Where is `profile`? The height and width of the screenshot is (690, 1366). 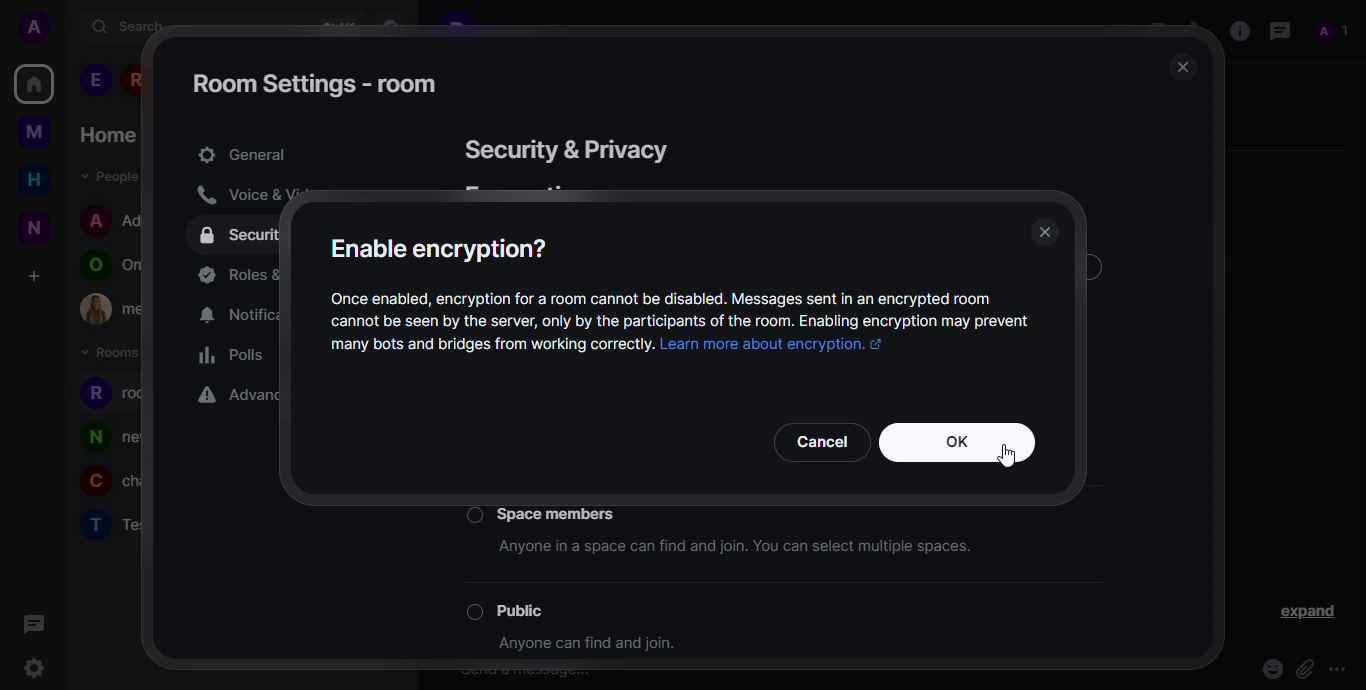
profile is located at coordinates (94, 393).